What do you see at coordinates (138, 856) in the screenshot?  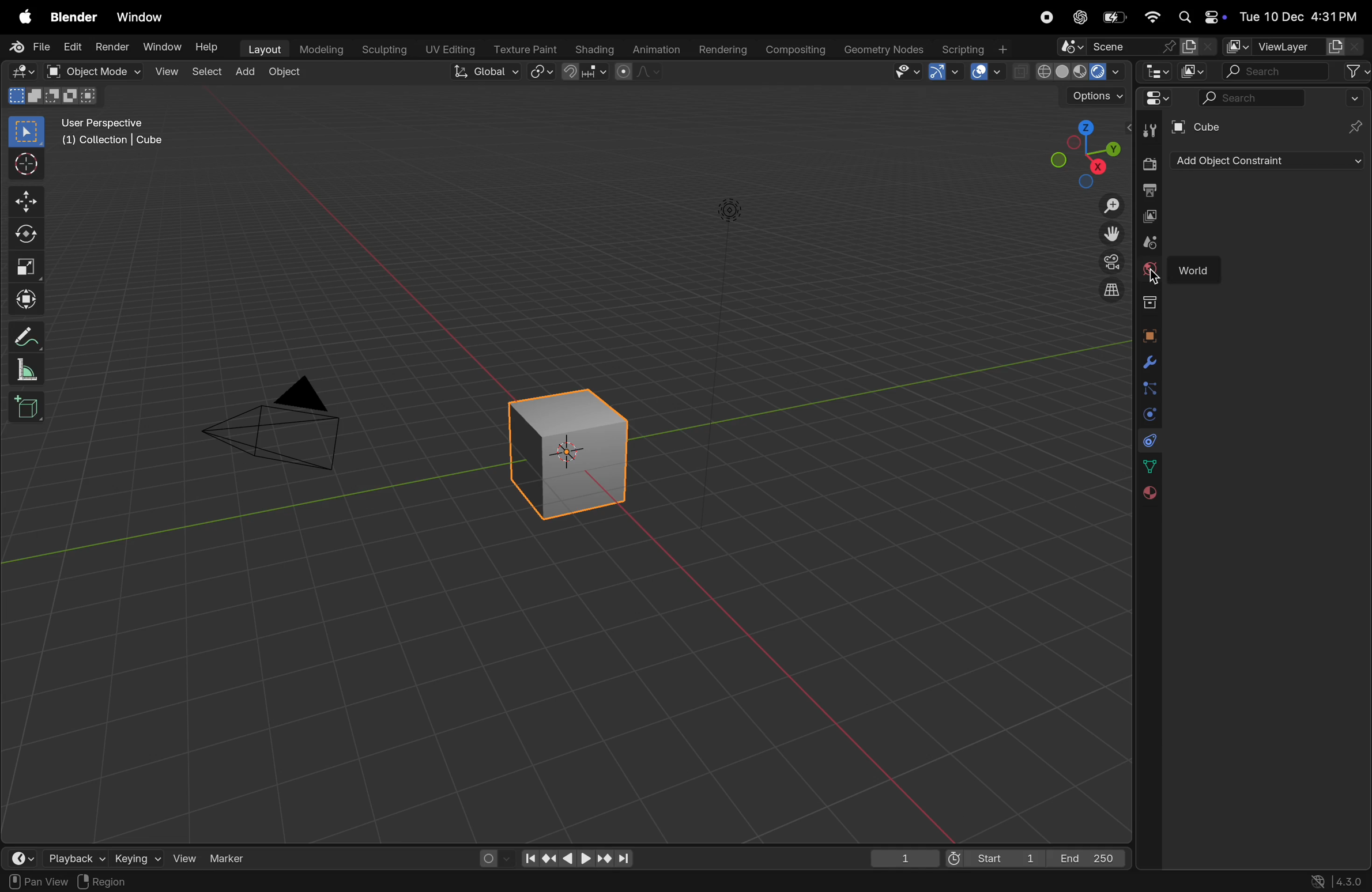 I see `keying` at bounding box center [138, 856].